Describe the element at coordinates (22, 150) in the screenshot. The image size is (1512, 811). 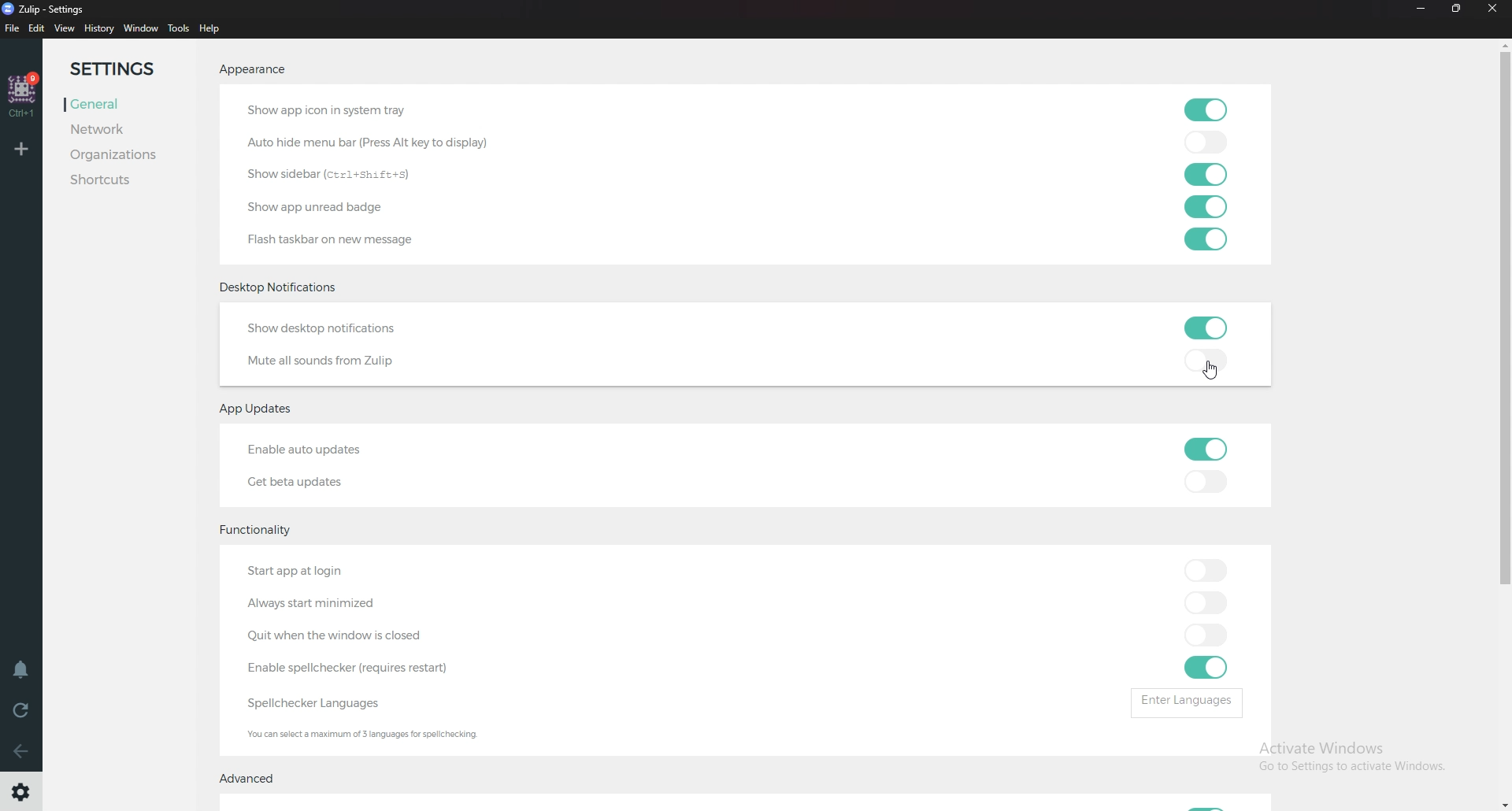
I see `Add workspace` at that location.